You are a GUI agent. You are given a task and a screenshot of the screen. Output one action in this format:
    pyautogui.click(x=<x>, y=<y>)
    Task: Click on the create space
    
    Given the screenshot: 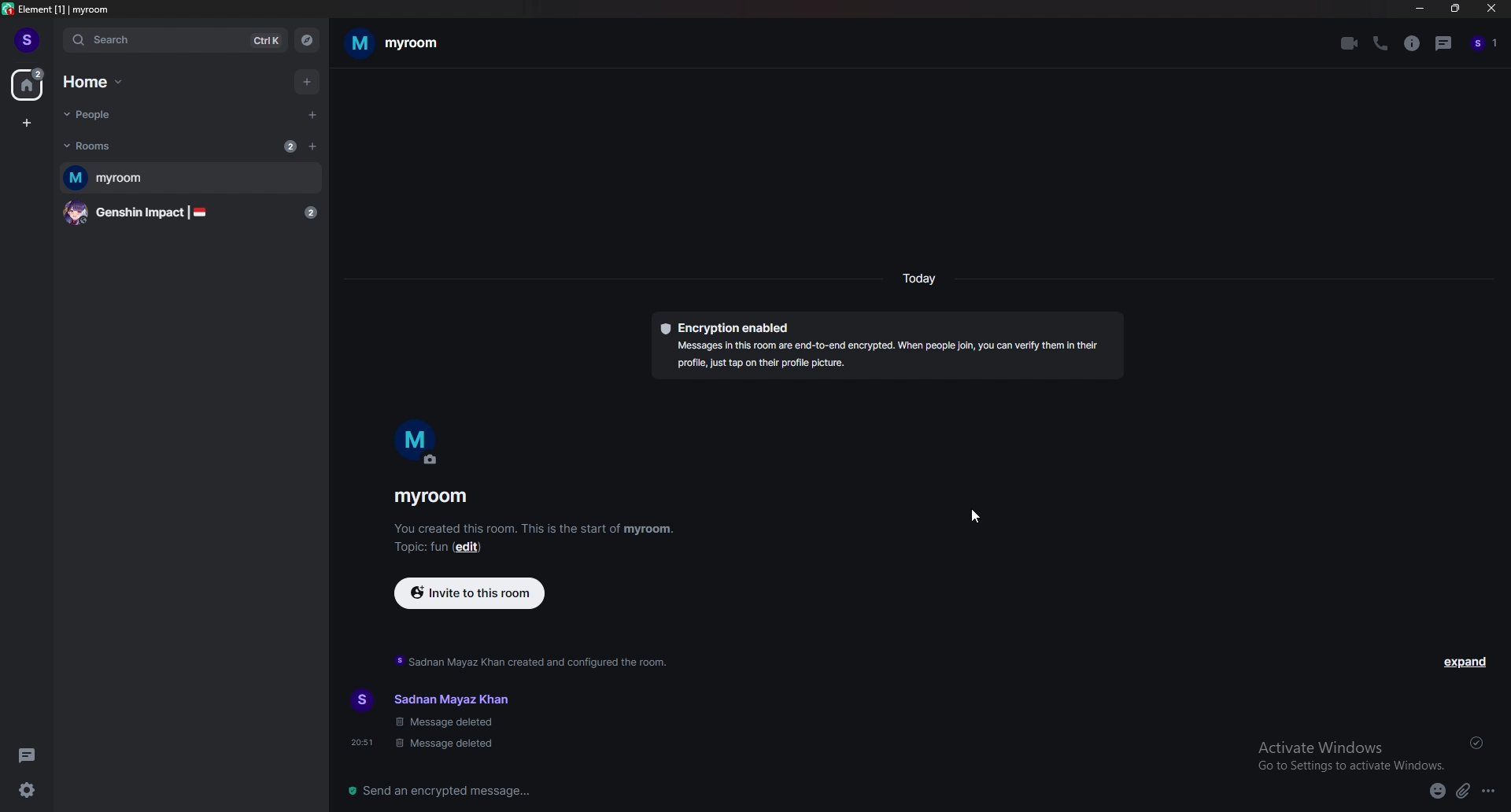 What is the action you would take?
    pyautogui.click(x=27, y=124)
    